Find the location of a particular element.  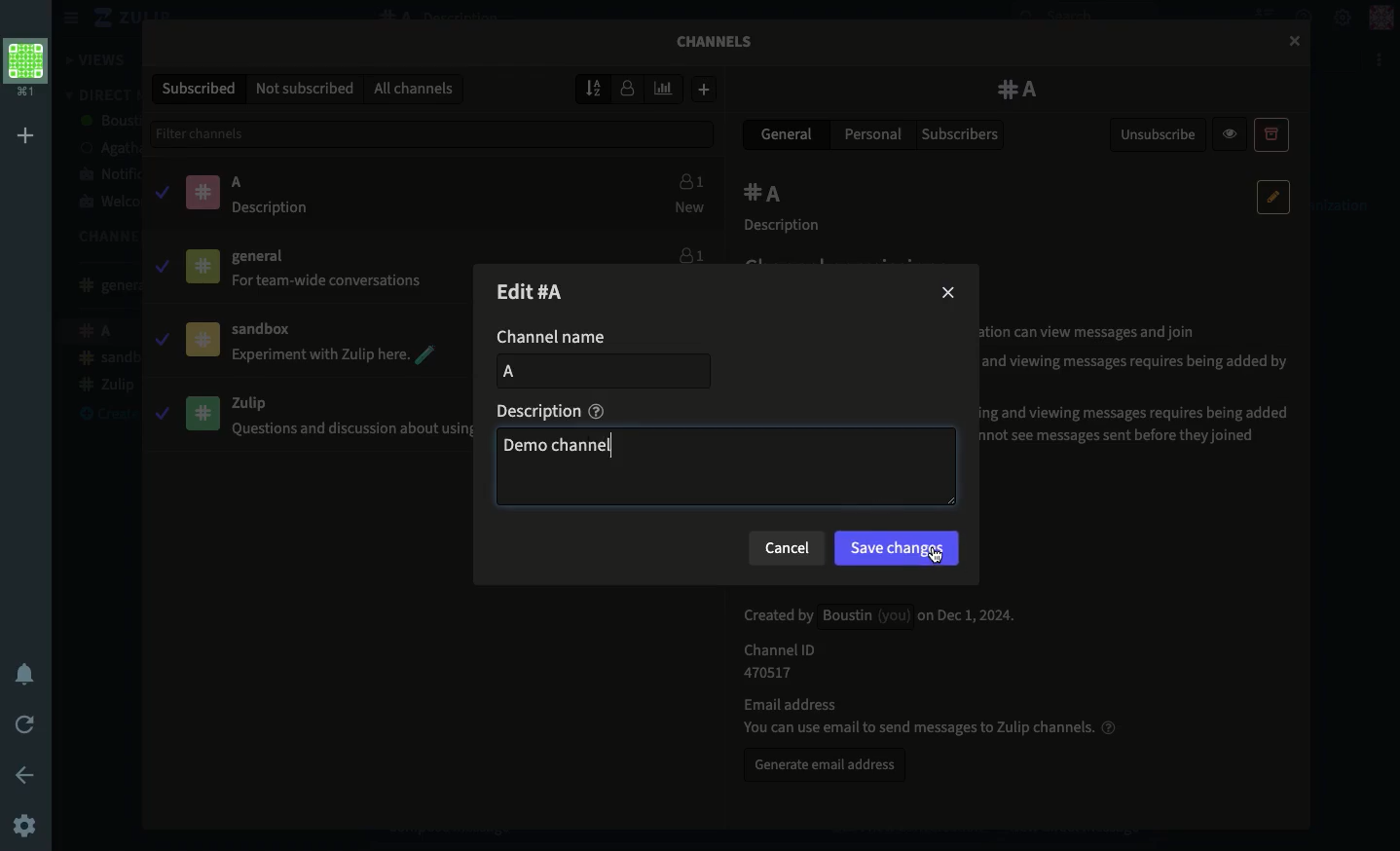

Sandbox is located at coordinates (107, 359).